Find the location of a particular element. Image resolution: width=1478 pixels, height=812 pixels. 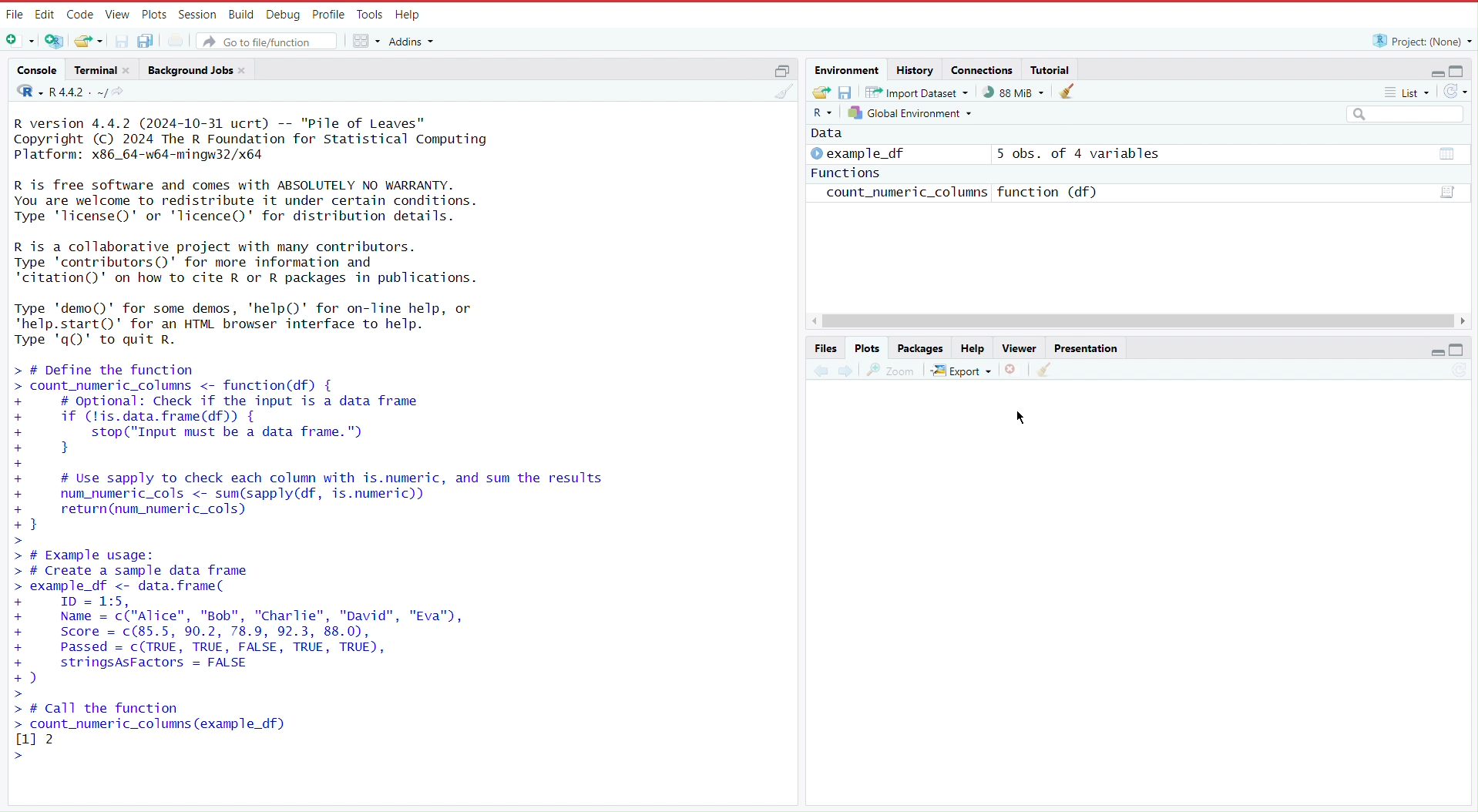

> # Define the function

> count_numeric_columns <- function(df) {

+ # optional: Check if the input is a data frame
+ if (lis.data.frame(df)) {

+ stop("Input must be a data frame."

+ }

+

+ # Use sapply to check each column with is.numeric, and sum the results
+ num_numeric_cols <- sum(sapply(df, is.numeric))
+ return (nun_numeric_cols)

+3

>

> # Example usage:

> # Create a sample data frame

> example_df <- data.frame(

+ = 1:5,

+ Name = c("Alice", "Bob", "charlie", "David", "Eva",
+ Score = c(85.5, 90.2, 78.9, 92.3, 88.0),

+ Passed = c(TRUE, TRUE, FALSE, TRUE, TRUE),

+ stringsAsFactors = FALSE

+)

>

> # call the function

> count_numeric_columns (example_df)

ni 2

> is located at coordinates (332, 562).